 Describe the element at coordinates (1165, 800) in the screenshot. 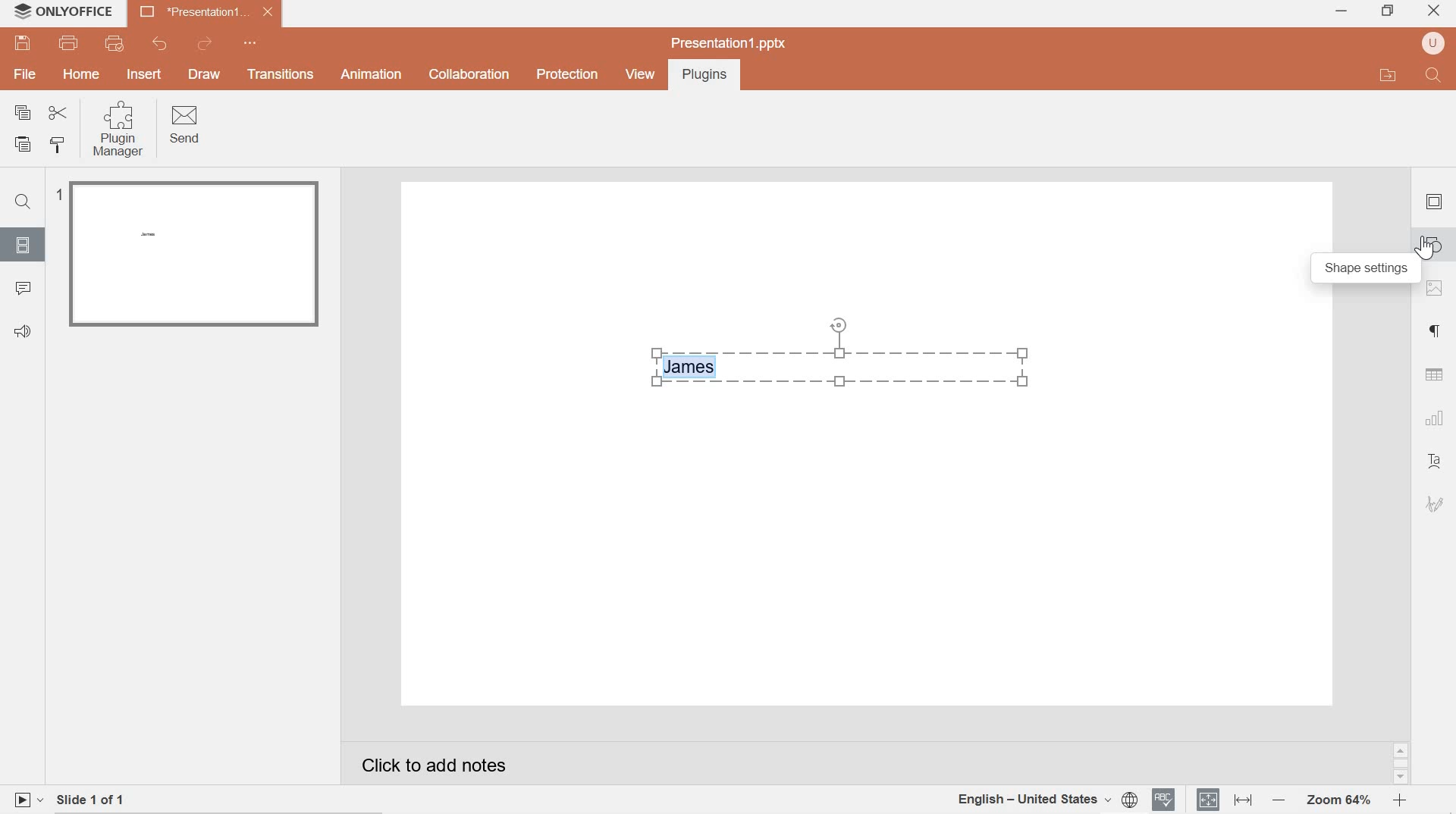

I see `spell checker` at that location.